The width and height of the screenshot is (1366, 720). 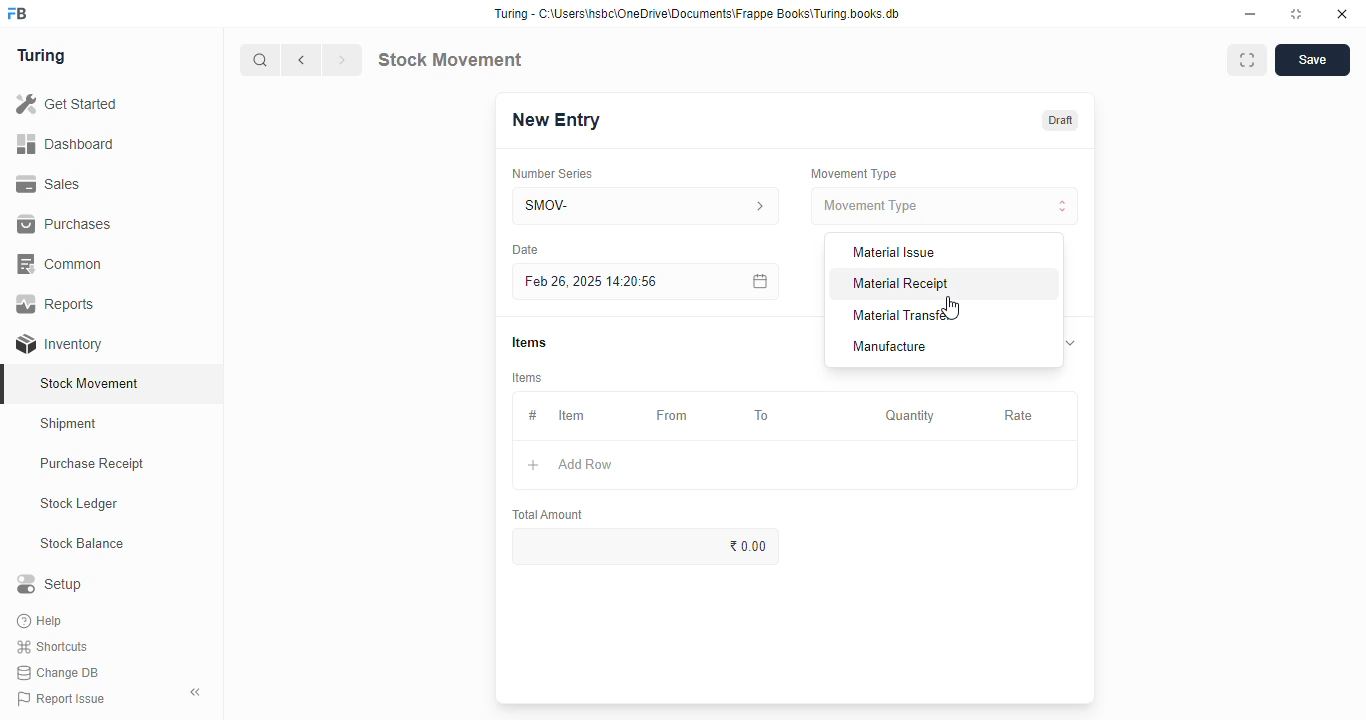 I want to click on purchase receipt, so click(x=92, y=463).